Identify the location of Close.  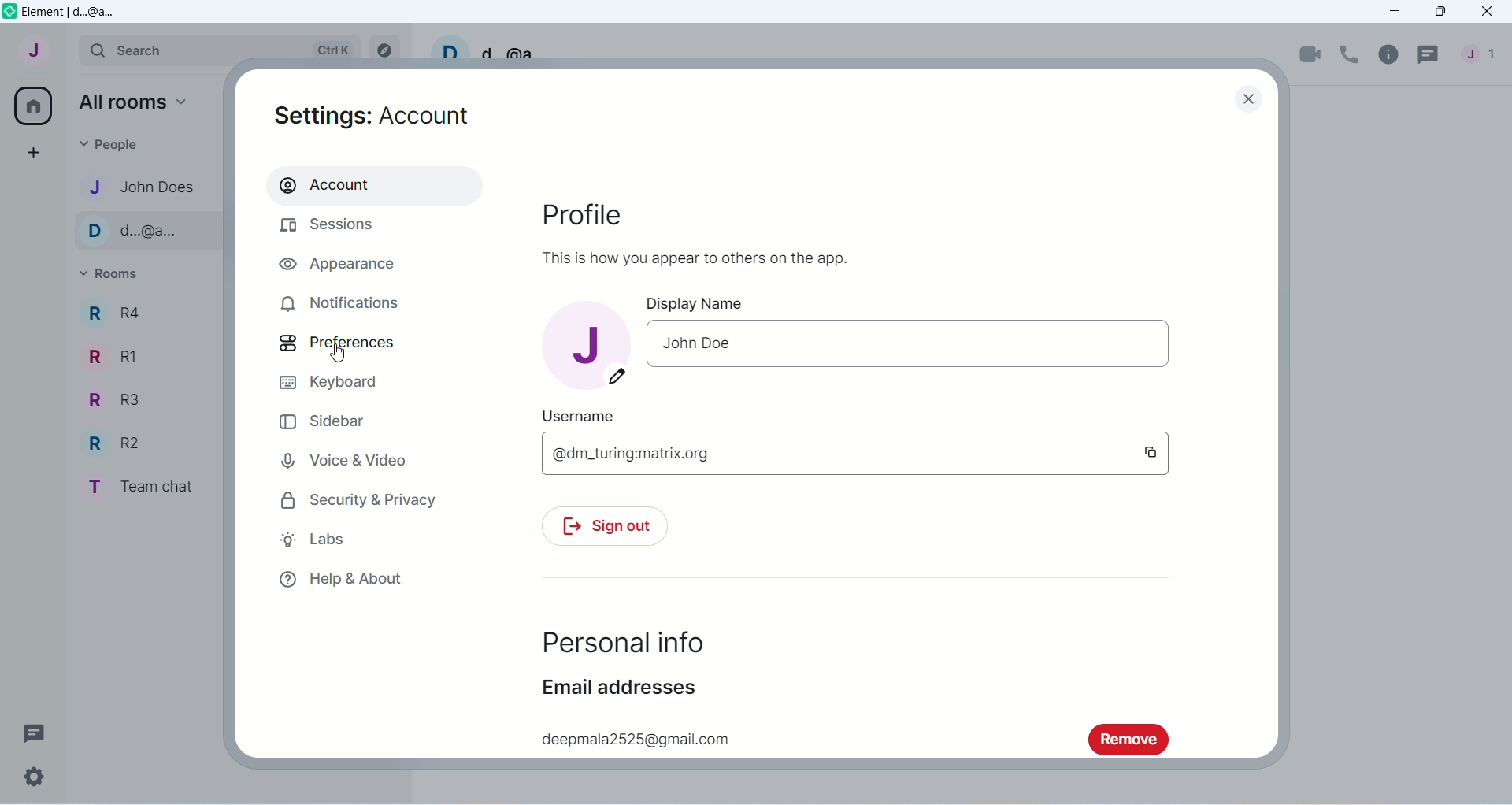
(1490, 10).